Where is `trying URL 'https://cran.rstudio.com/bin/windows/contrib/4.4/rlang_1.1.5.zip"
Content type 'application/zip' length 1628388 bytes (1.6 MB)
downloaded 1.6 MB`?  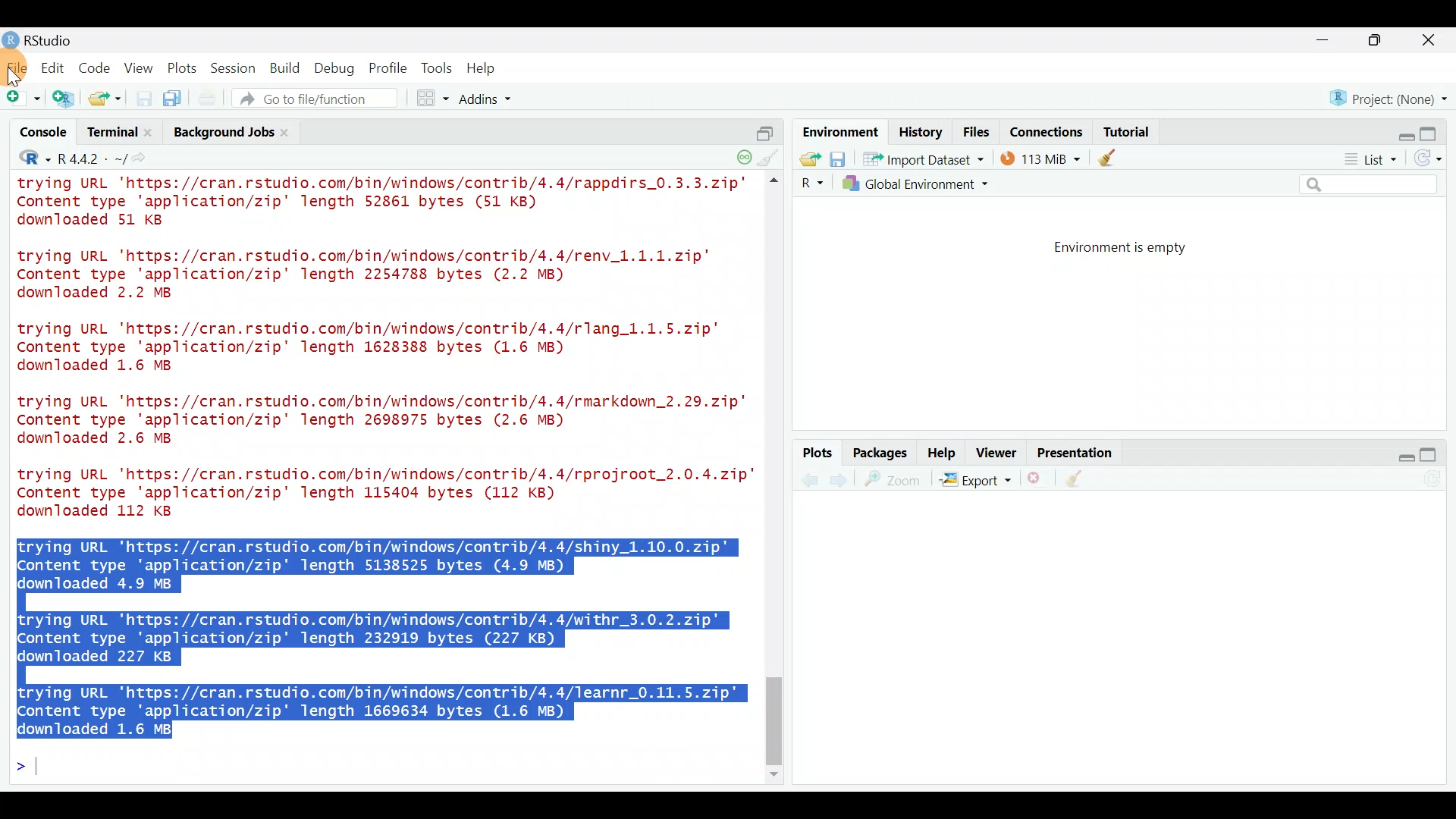 trying URL 'https://cran.rstudio.com/bin/windows/contrib/4.4/rlang_1.1.5.zip"
Content type 'application/zip' length 1628388 bytes (1.6 MB)
downloaded 1.6 MB is located at coordinates (382, 350).